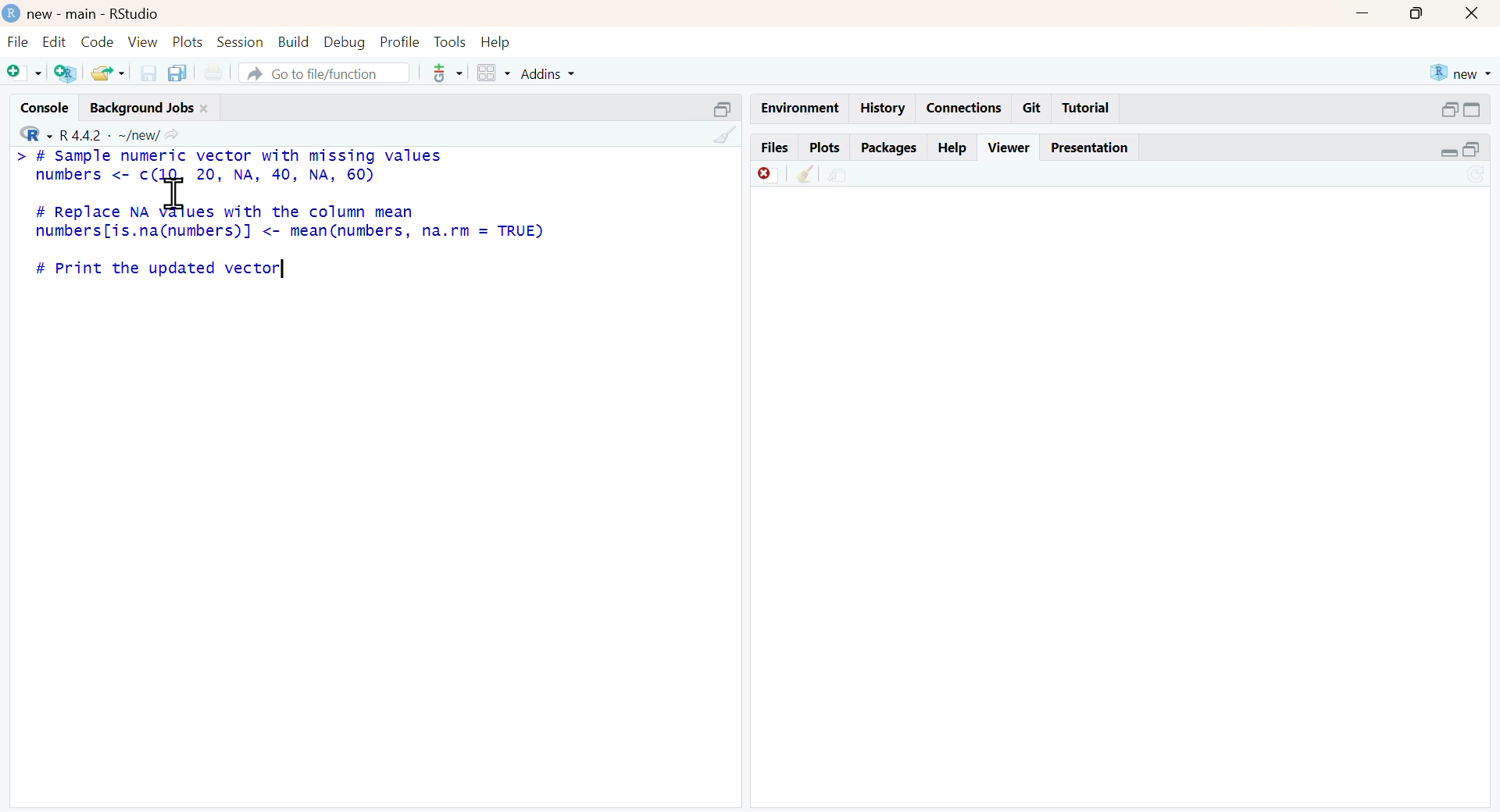 This screenshot has width=1500, height=812. What do you see at coordinates (214, 72) in the screenshot?
I see `print` at bounding box center [214, 72].